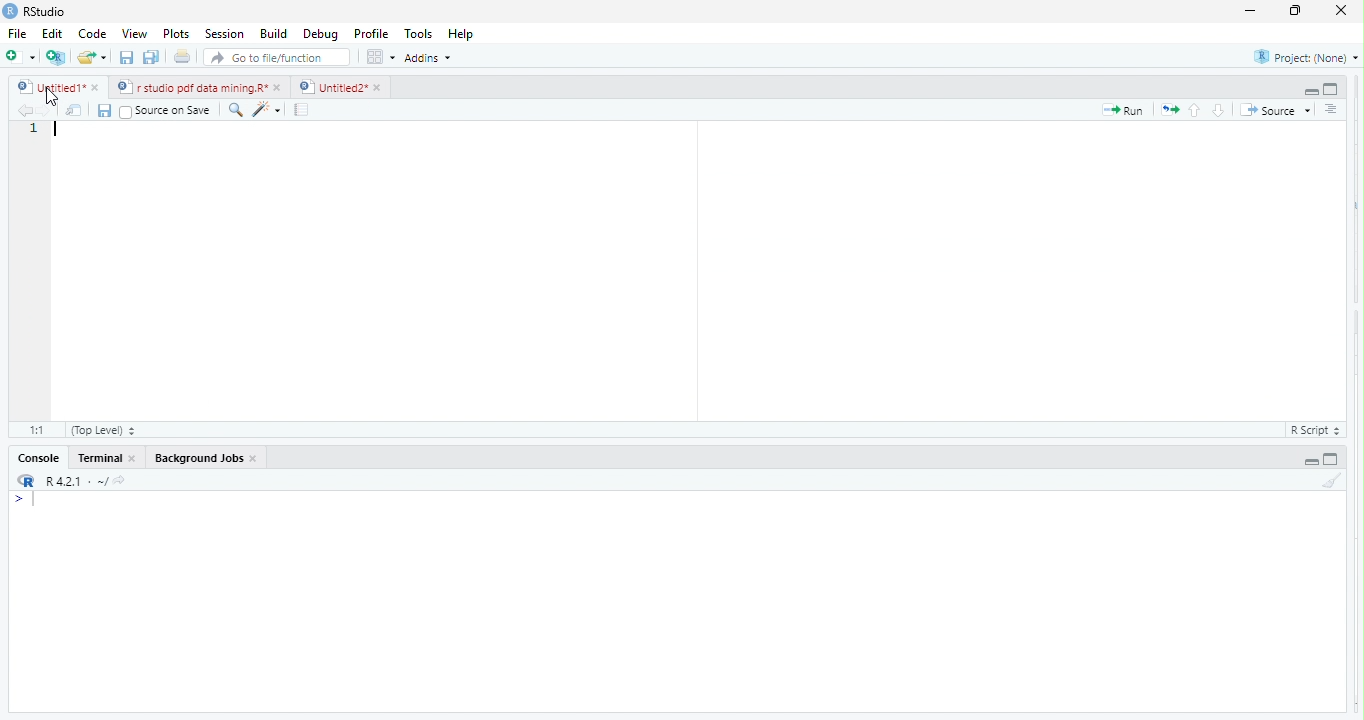  I want to click on  Untitied1", so click(47, 87).